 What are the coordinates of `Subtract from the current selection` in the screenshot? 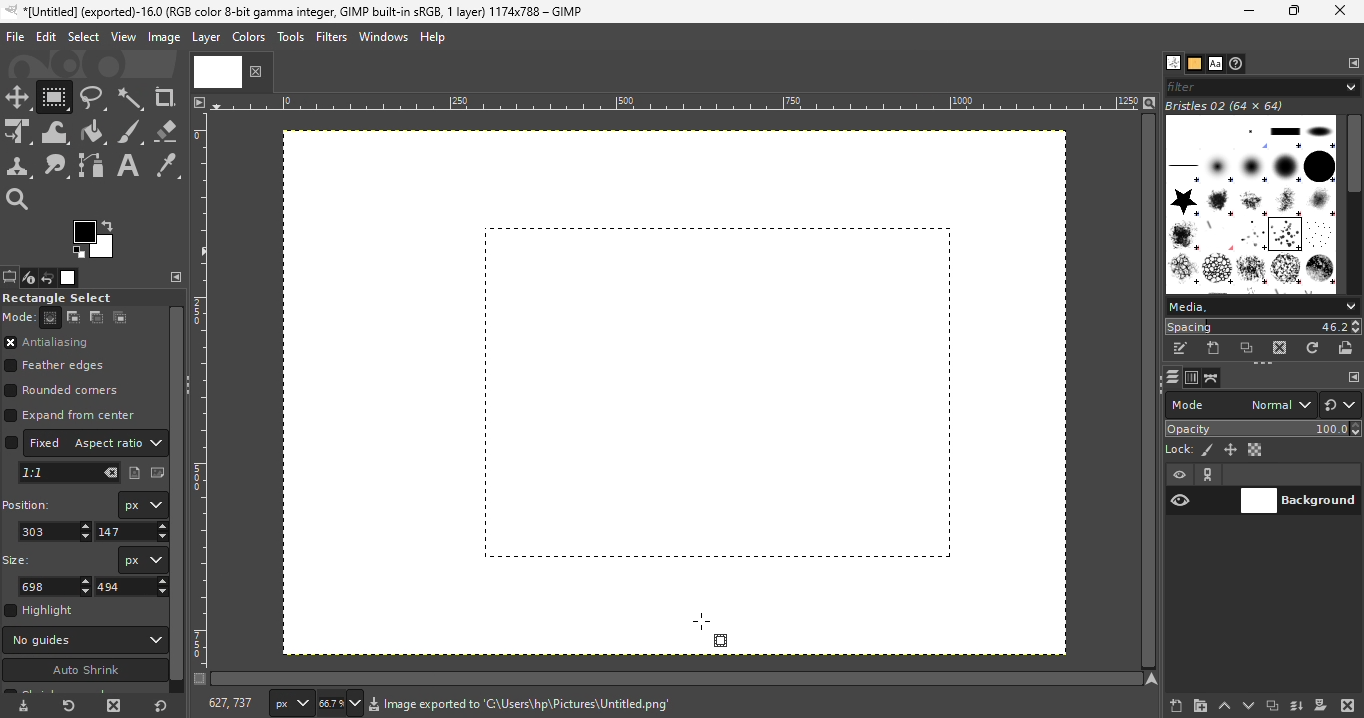 It's located at (96, 317).